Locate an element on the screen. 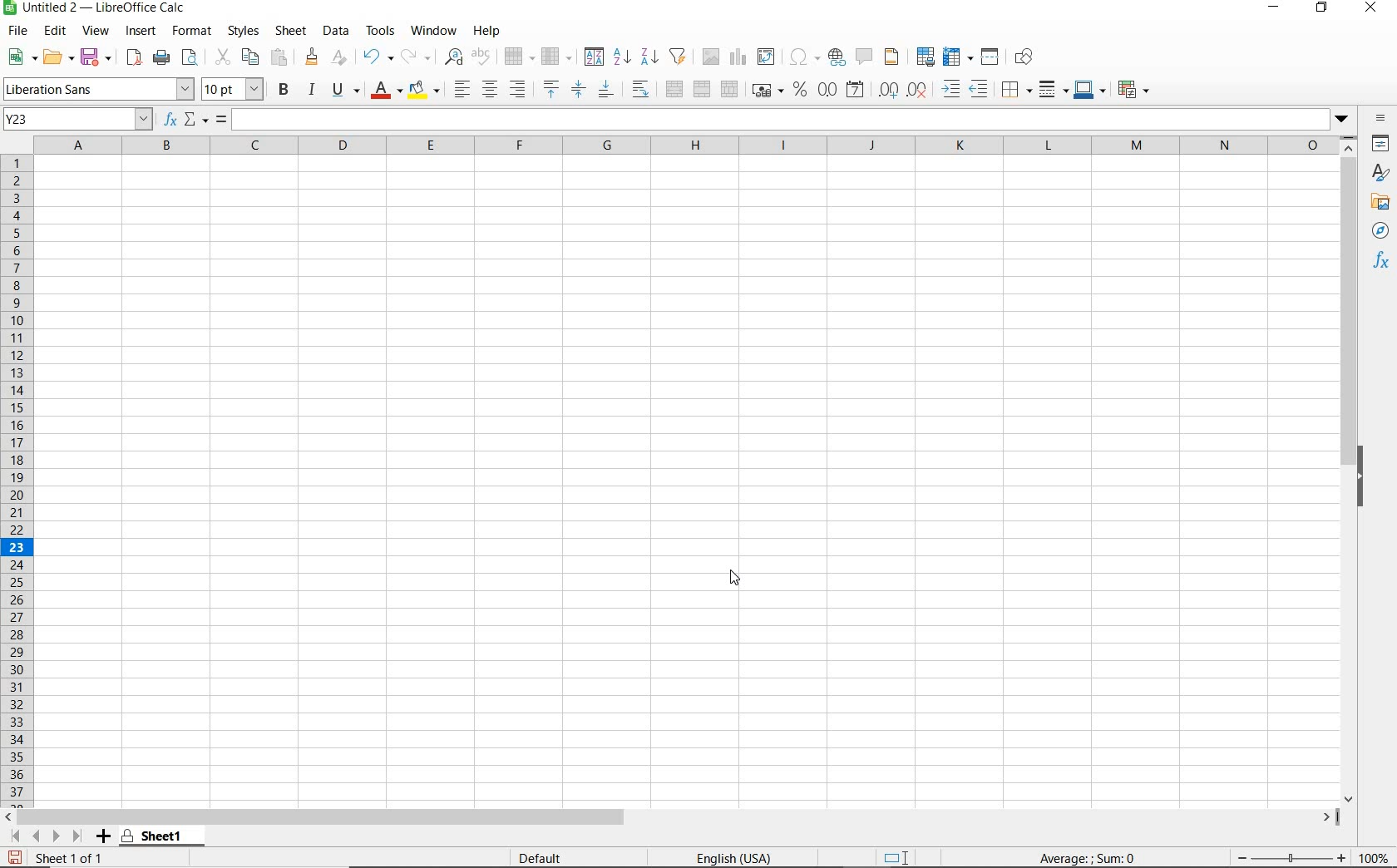 Image resolution: width=1397 pixels, height=868 pixels. CLONE FORMATTING is located at coordinates (309, 57).